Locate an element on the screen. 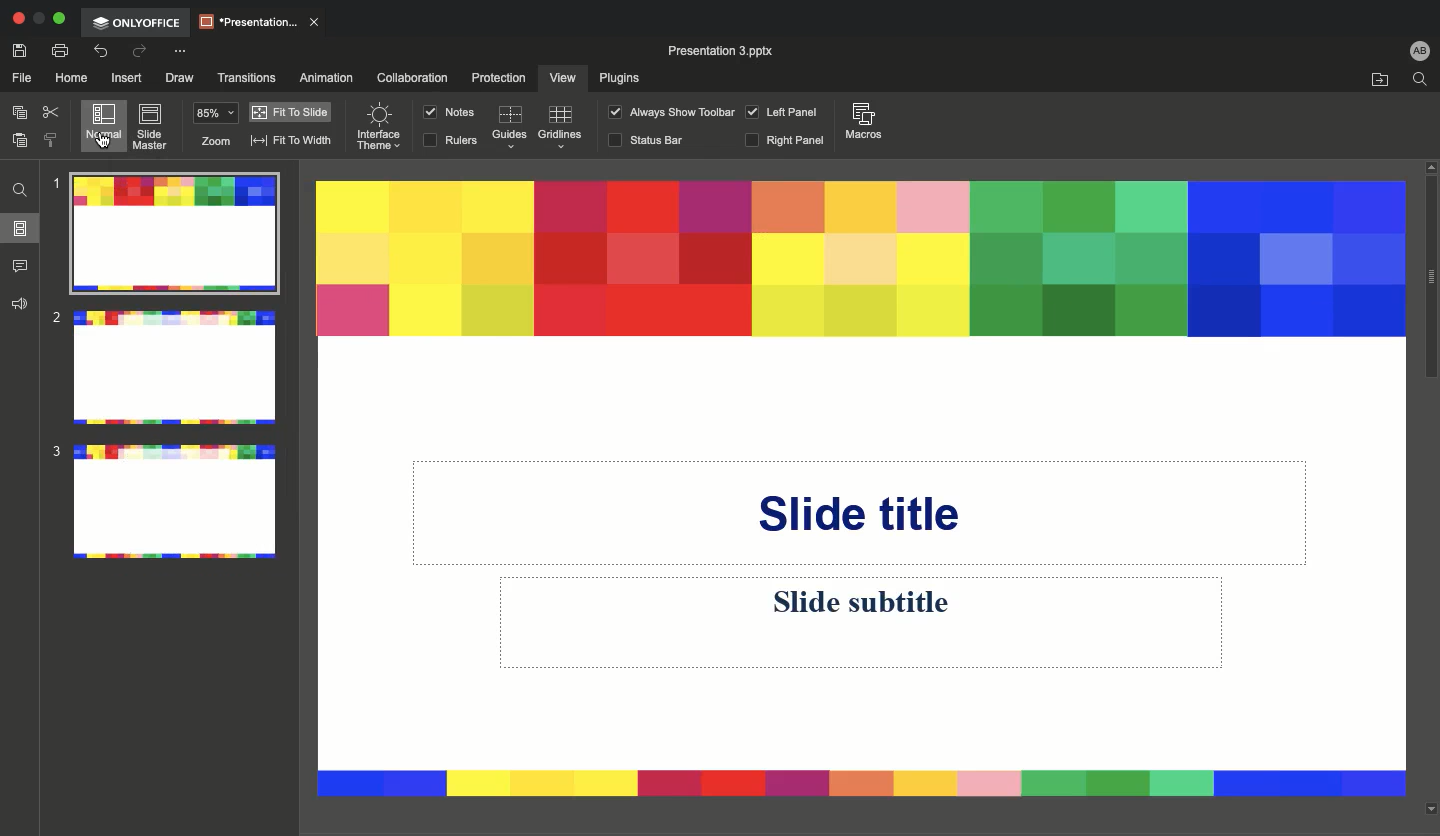 This screenshot has height=836, width=1440. Guides is located at coordinates (507, 128).